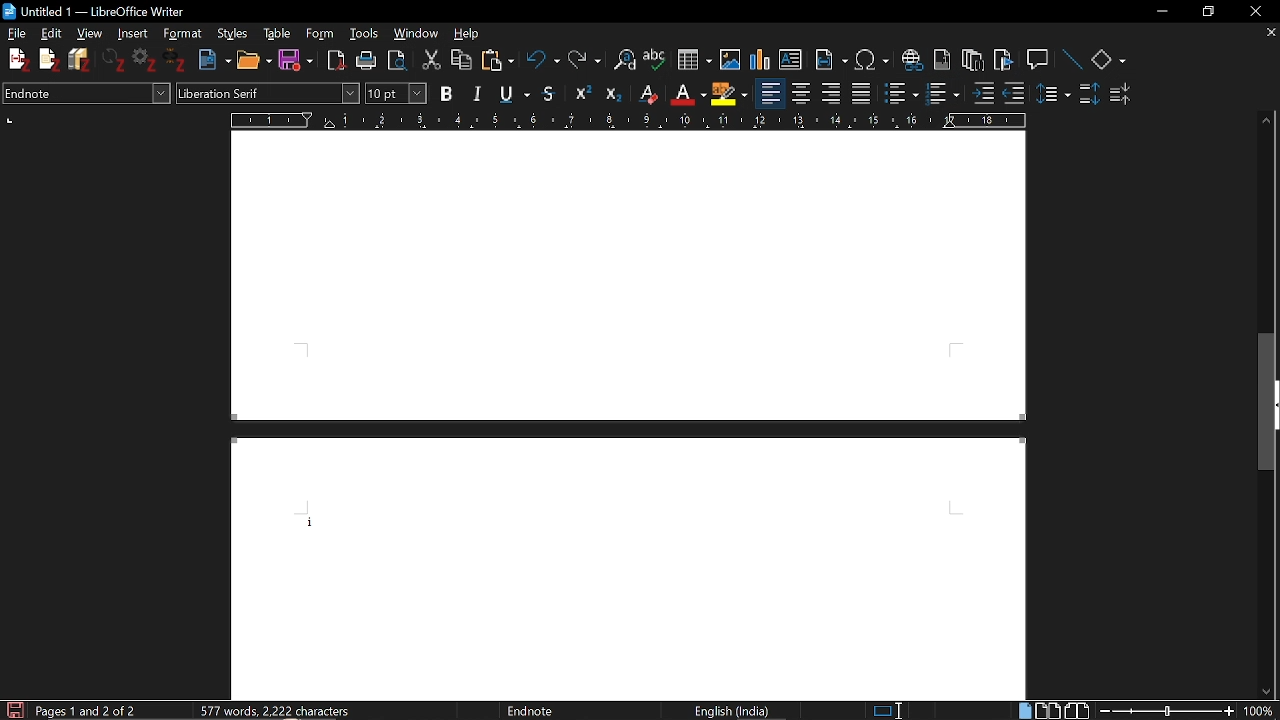 This screenshot has height=720, width=1280. Describe the element at coordinates (254, 61) in the screenshot. I see `Open` at that location.